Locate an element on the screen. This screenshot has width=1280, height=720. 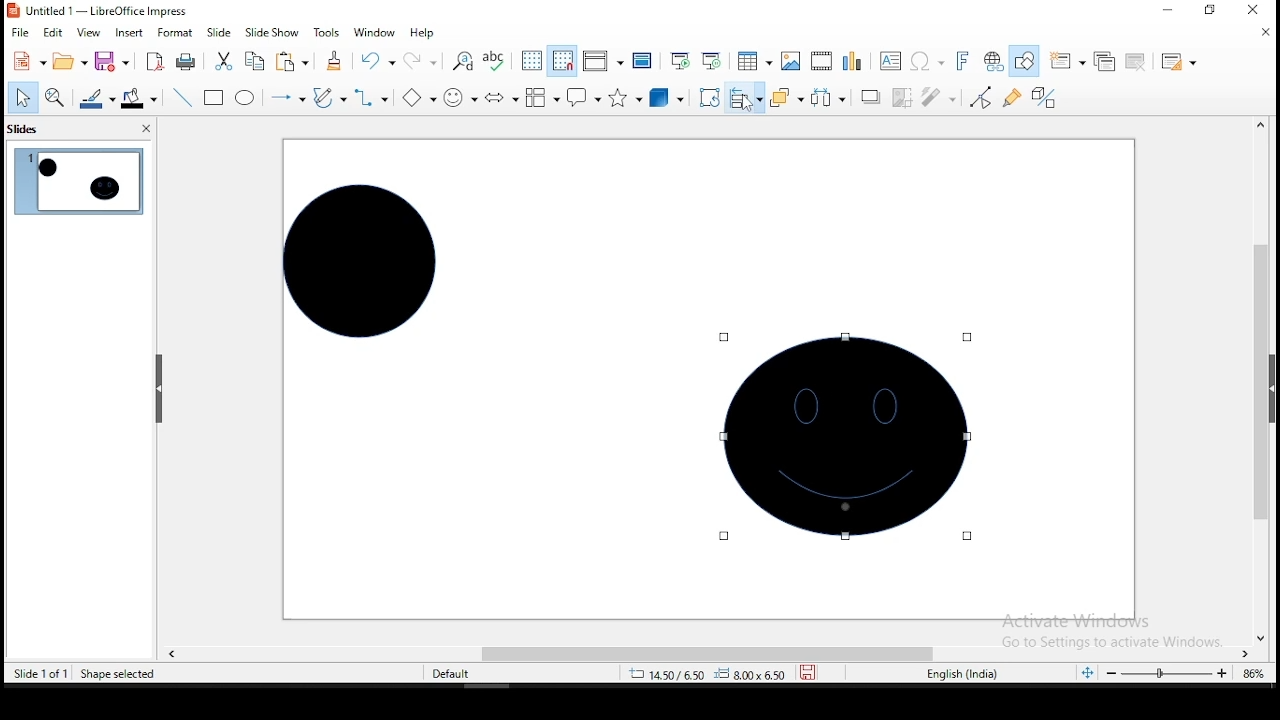
basic shapes is located at coordinates (416, 97).